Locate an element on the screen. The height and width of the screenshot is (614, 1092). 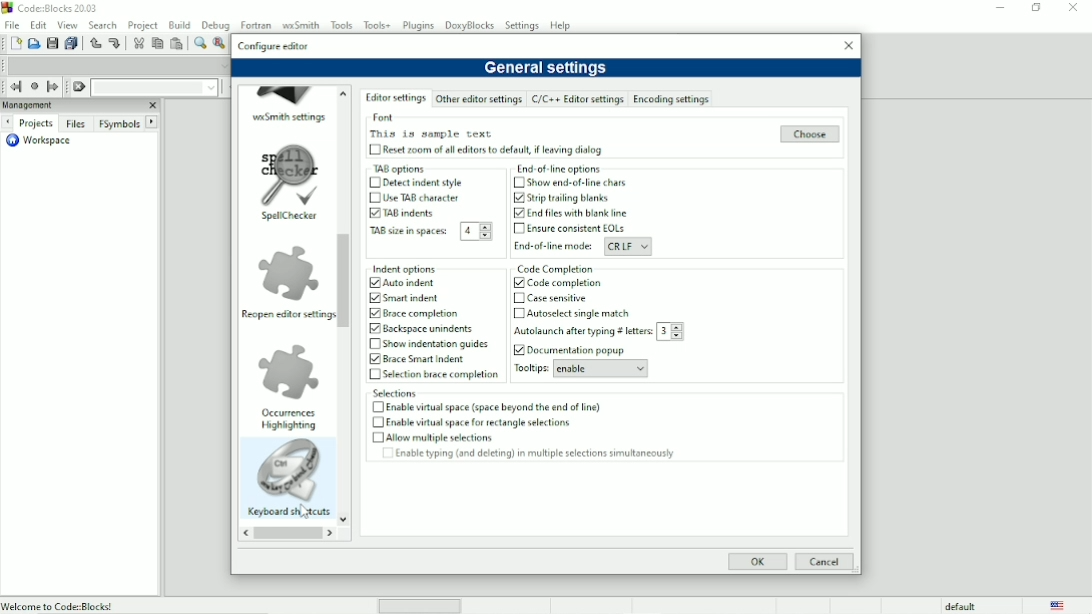
CRLF is located at coordinates (619, 246).